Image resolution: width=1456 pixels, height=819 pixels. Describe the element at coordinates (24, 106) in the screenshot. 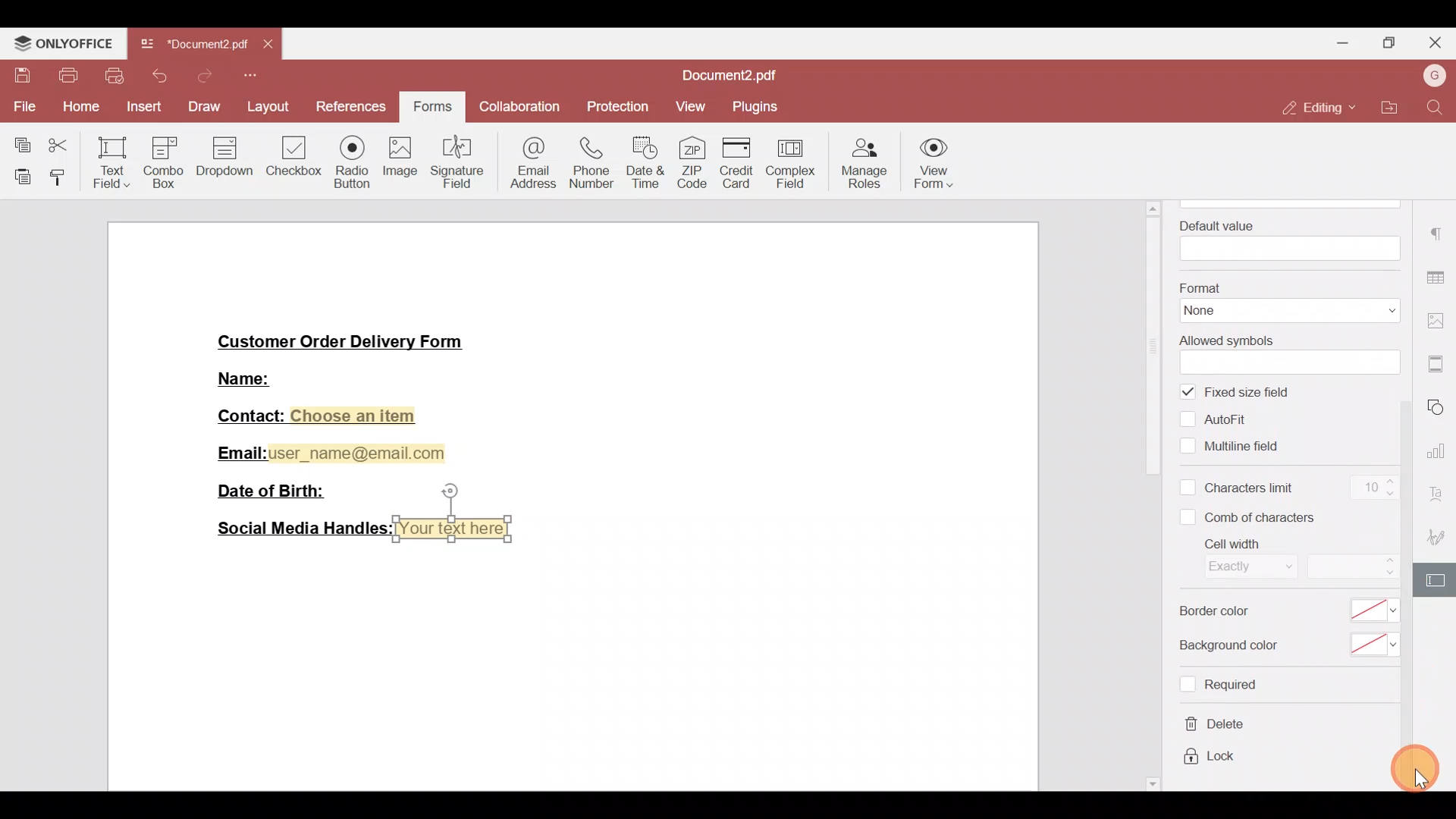

I see `File` at that location.